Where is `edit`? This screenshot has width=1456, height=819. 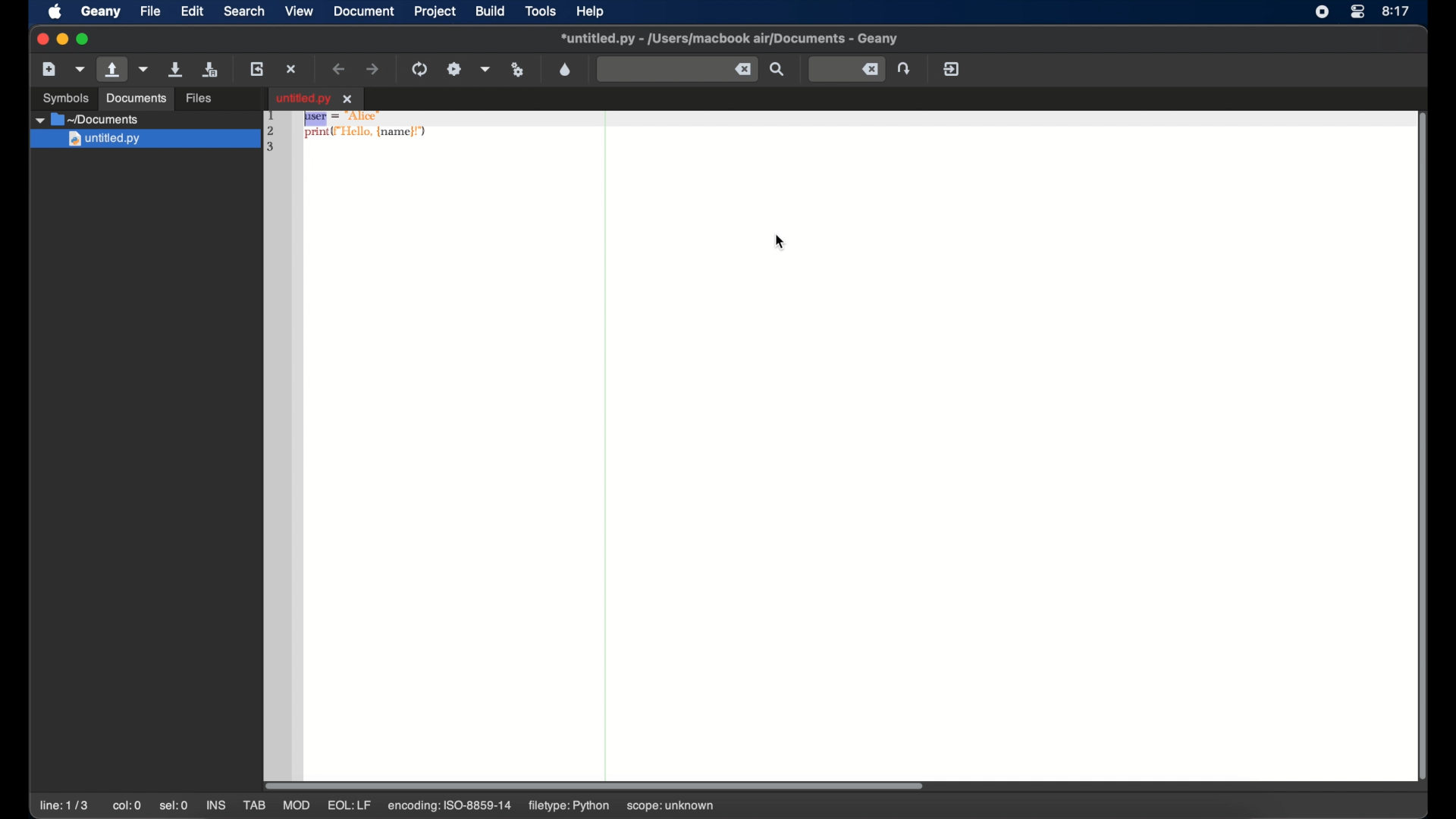
edit is located at coordinates (191, 11).